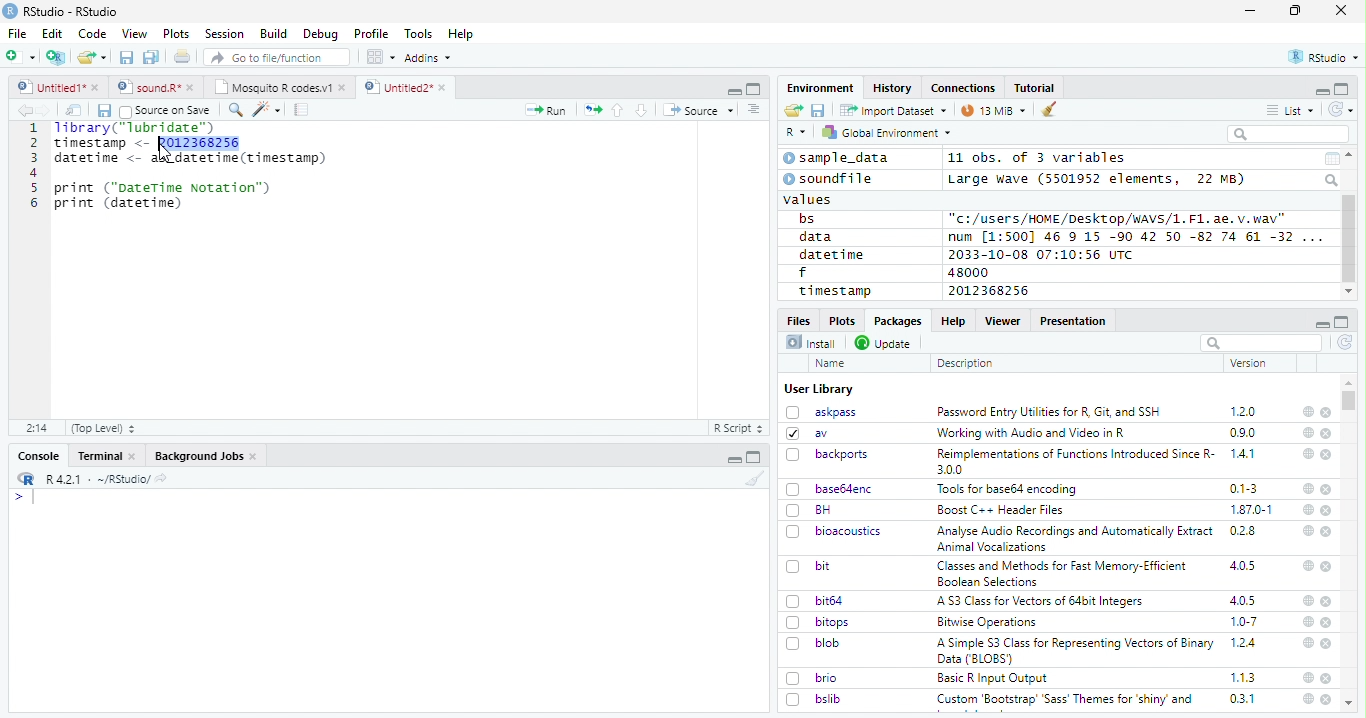 The width and height of the screenshot is (1366, 718). What do you see at coordinates (188, 144) in the screenshot?
I see `library ("lubridate") Timestamp <- 2012368256]datetime <- as_datetime(timestamp)` at bounding box center [188, 144].